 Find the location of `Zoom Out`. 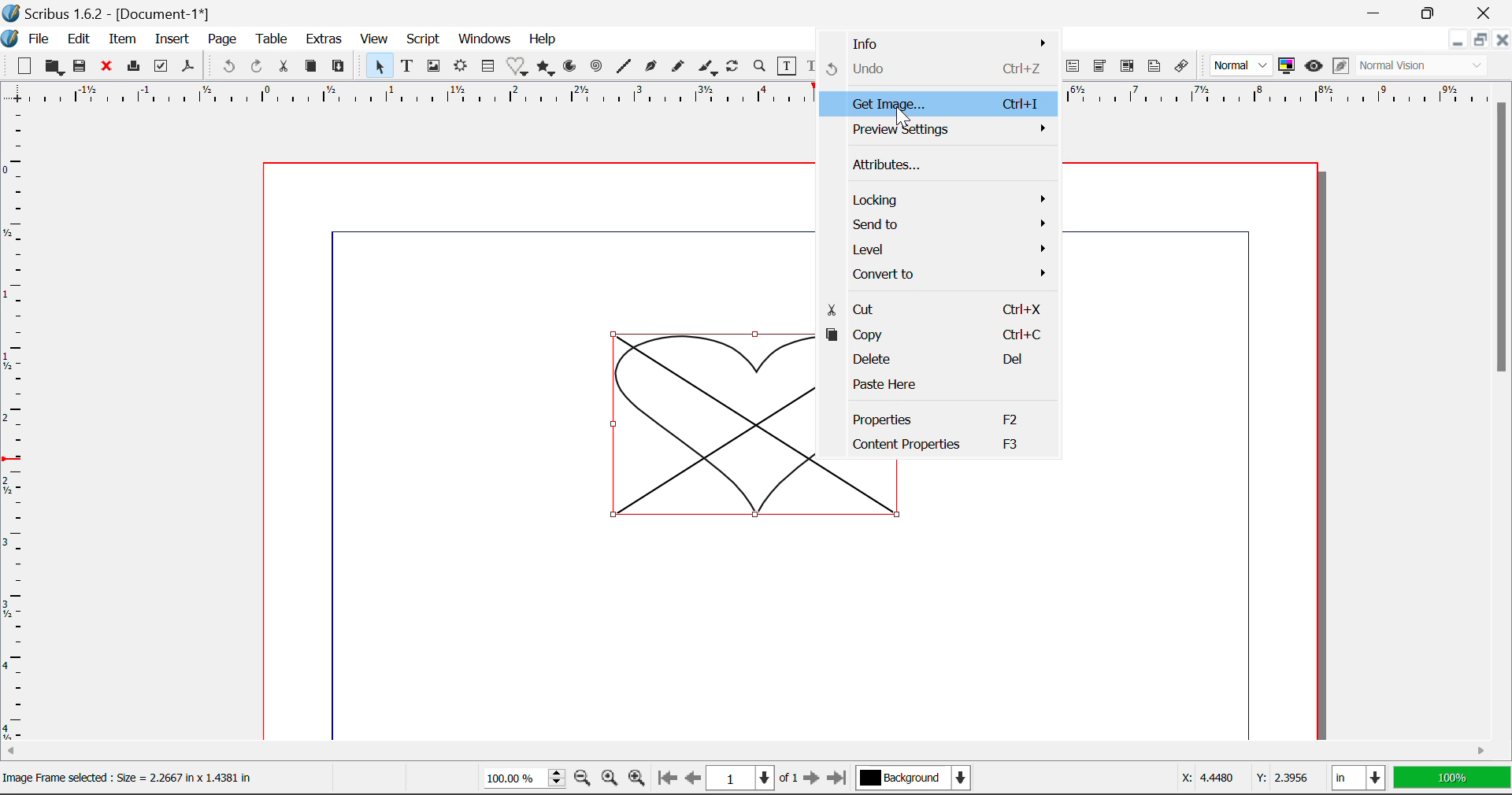

Zoom Out is located at coordinates (583, 779).